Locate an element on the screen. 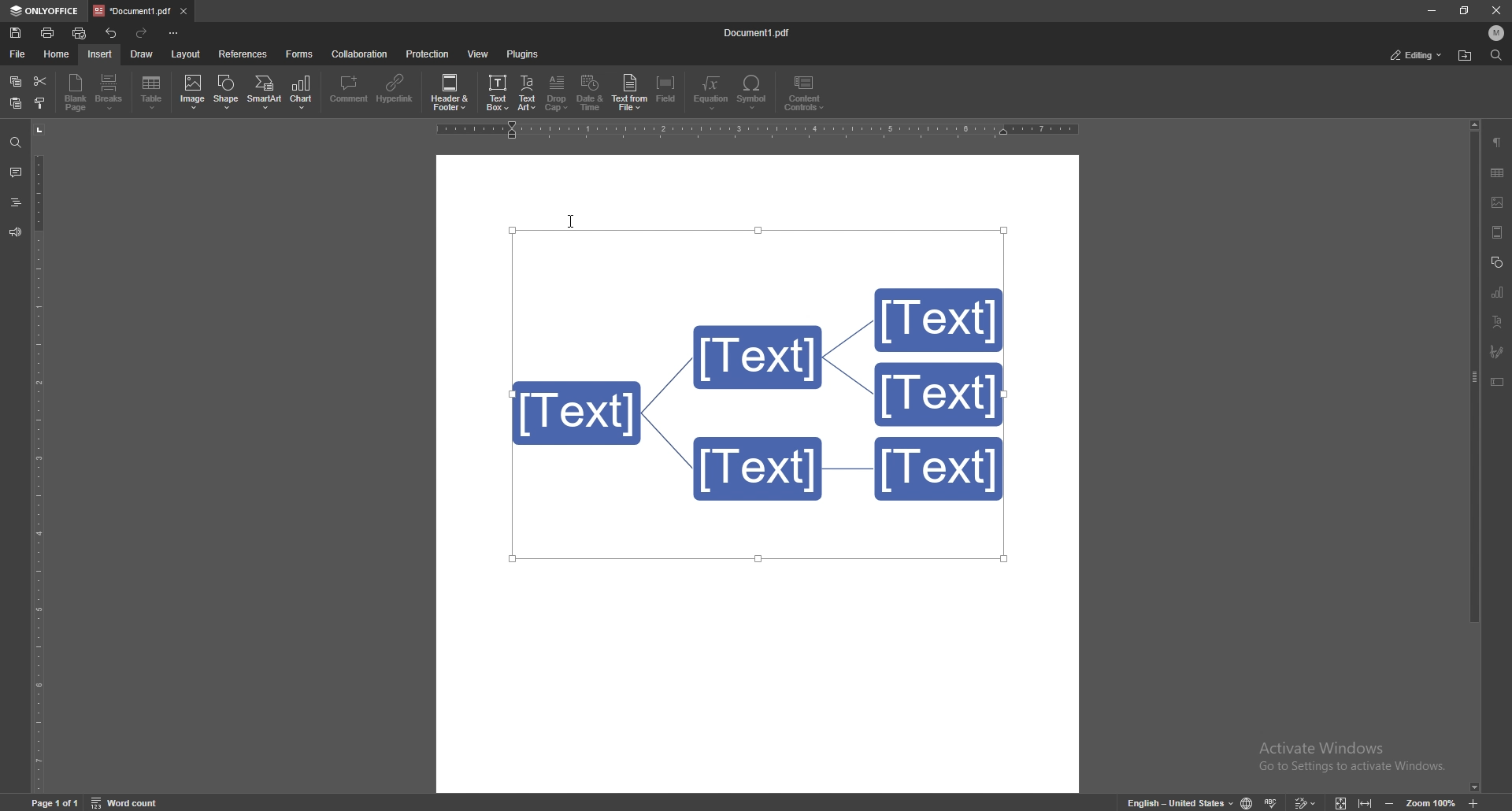 The height and width of the screenshot is (811, 1512). copy style is located at coordinates (41, 102).